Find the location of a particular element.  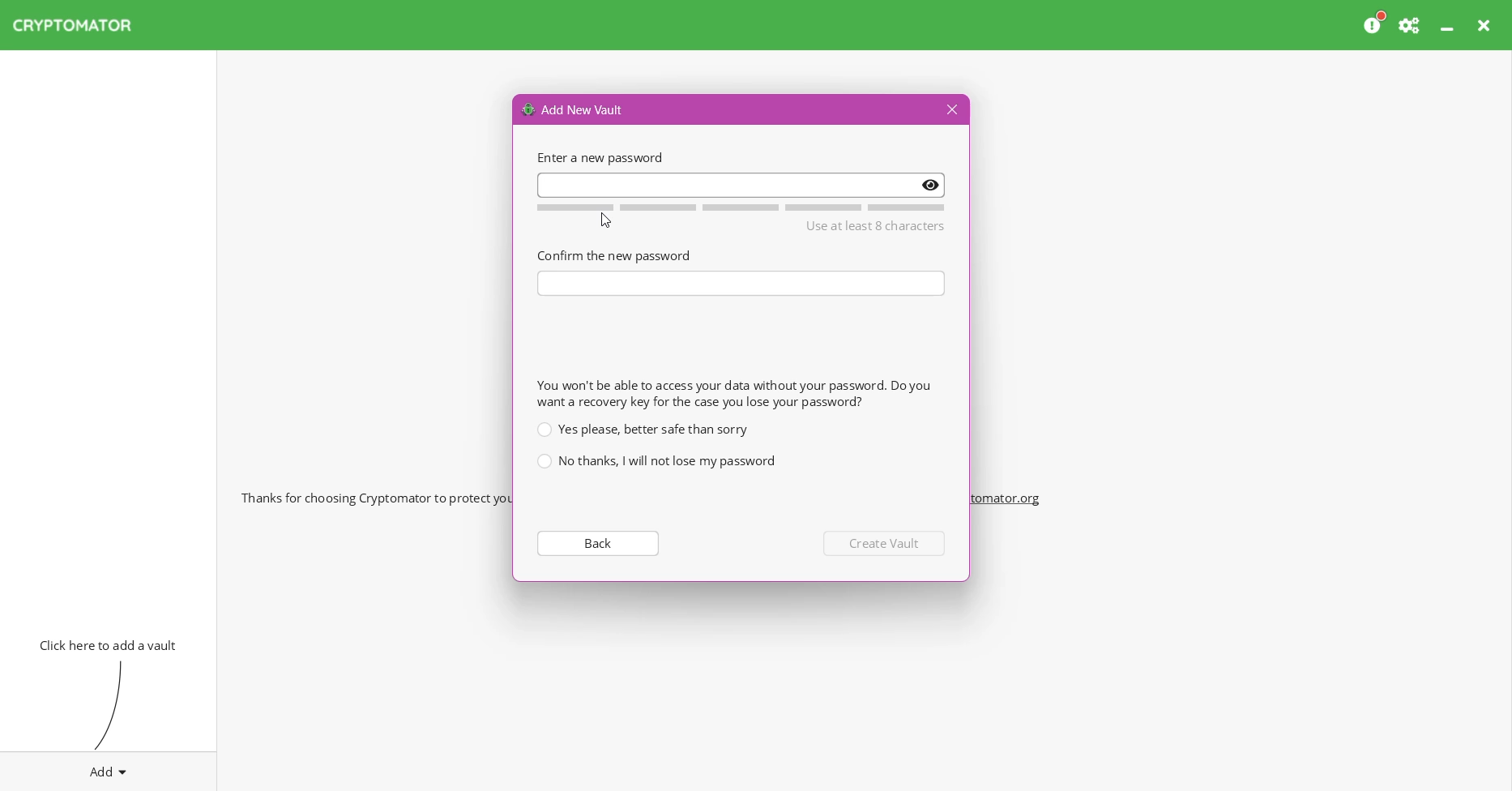

Preferences is located at coordinates (1411, 25).